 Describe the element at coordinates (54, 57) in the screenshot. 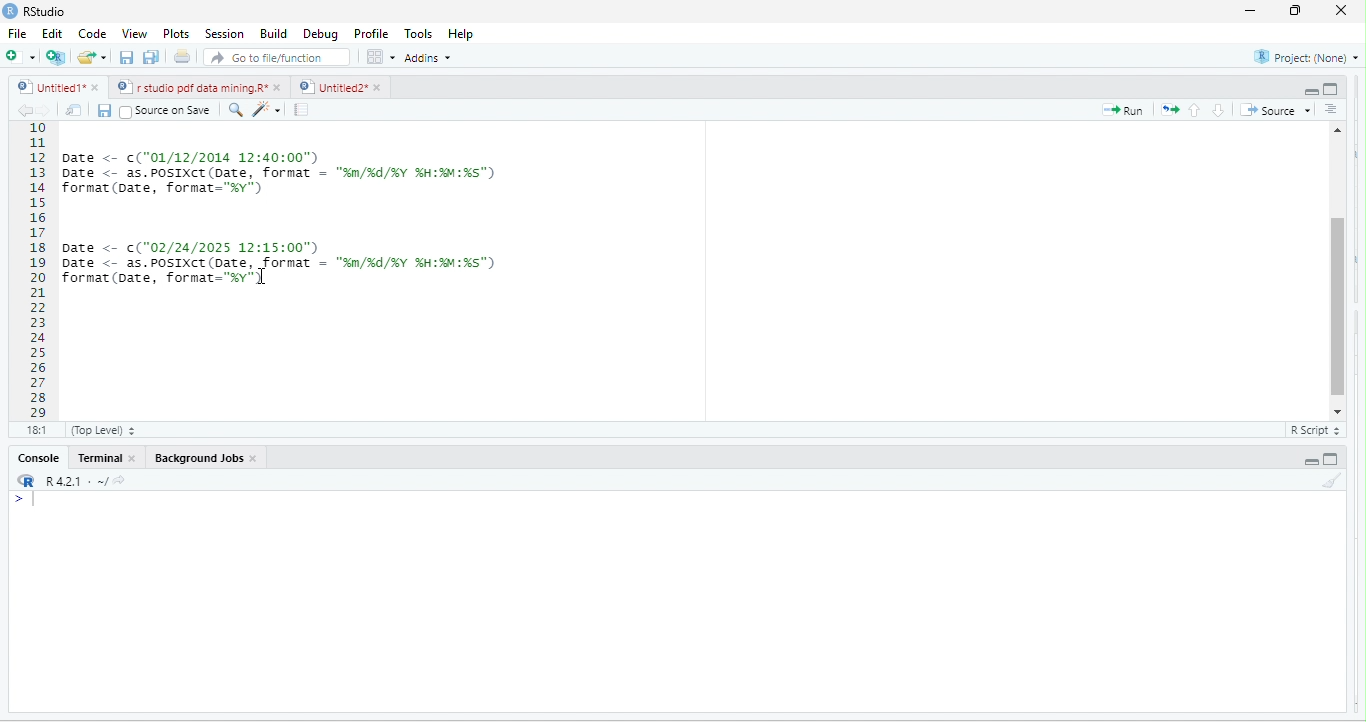

I see `create a project` at that location.